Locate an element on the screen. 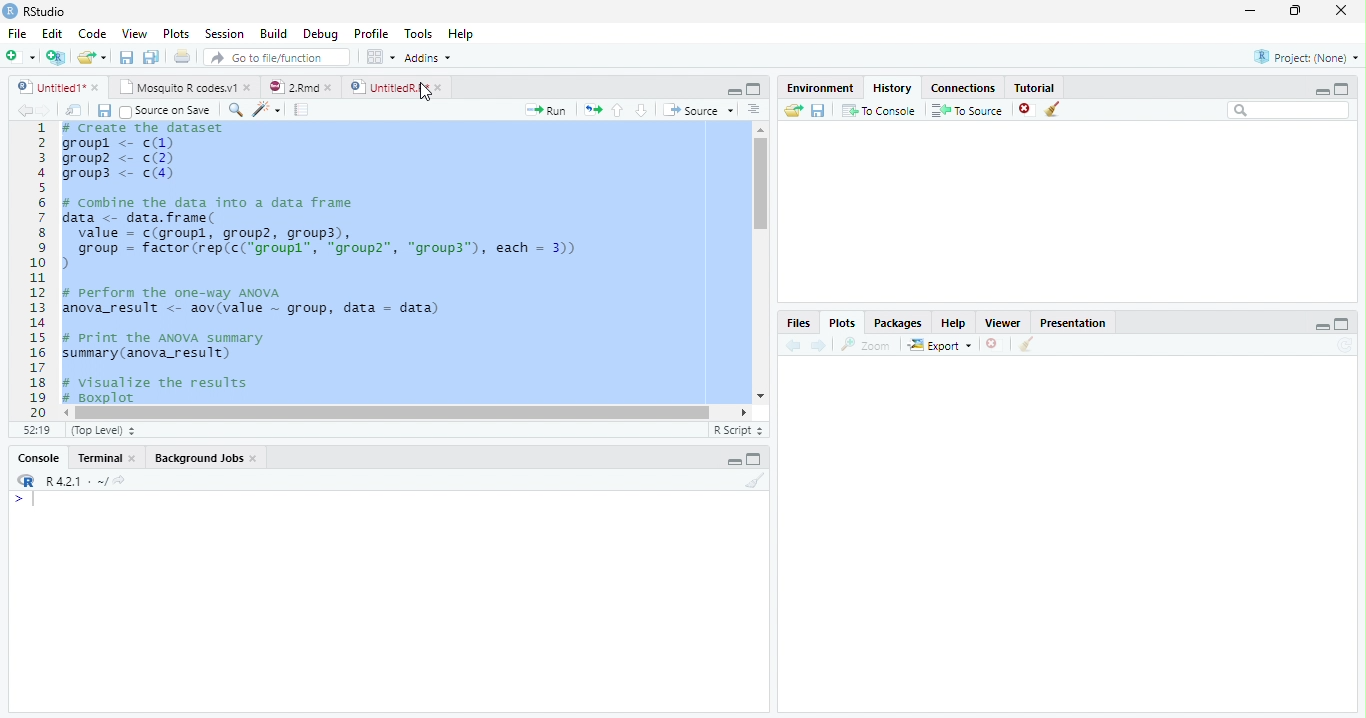 The width and height of the screenshot is (1366, 718). Tools is located at coordinates (420, 33).